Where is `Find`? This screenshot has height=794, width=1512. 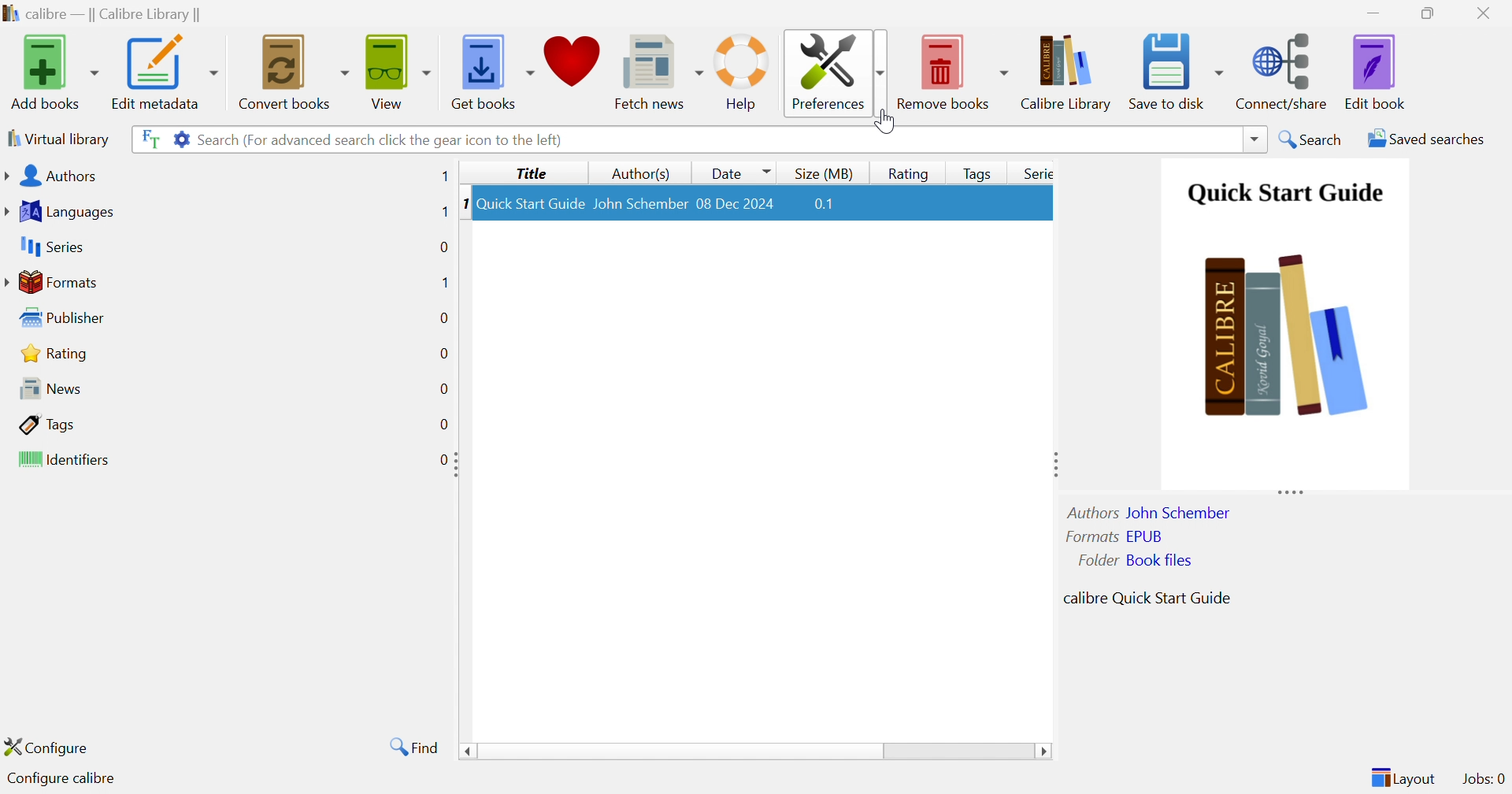
Find is located at coordinates (411, 746).